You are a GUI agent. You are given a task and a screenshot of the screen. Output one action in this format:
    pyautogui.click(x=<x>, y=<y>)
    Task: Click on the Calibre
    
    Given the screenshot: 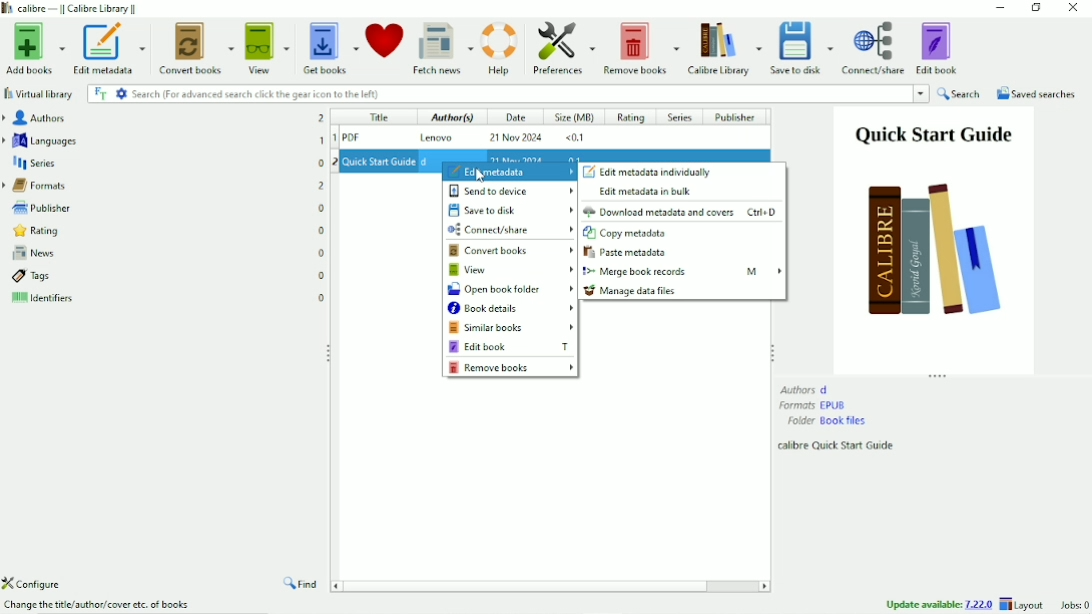 What is the action you would take?
    pyautogui.click(x=76, y=8)
    